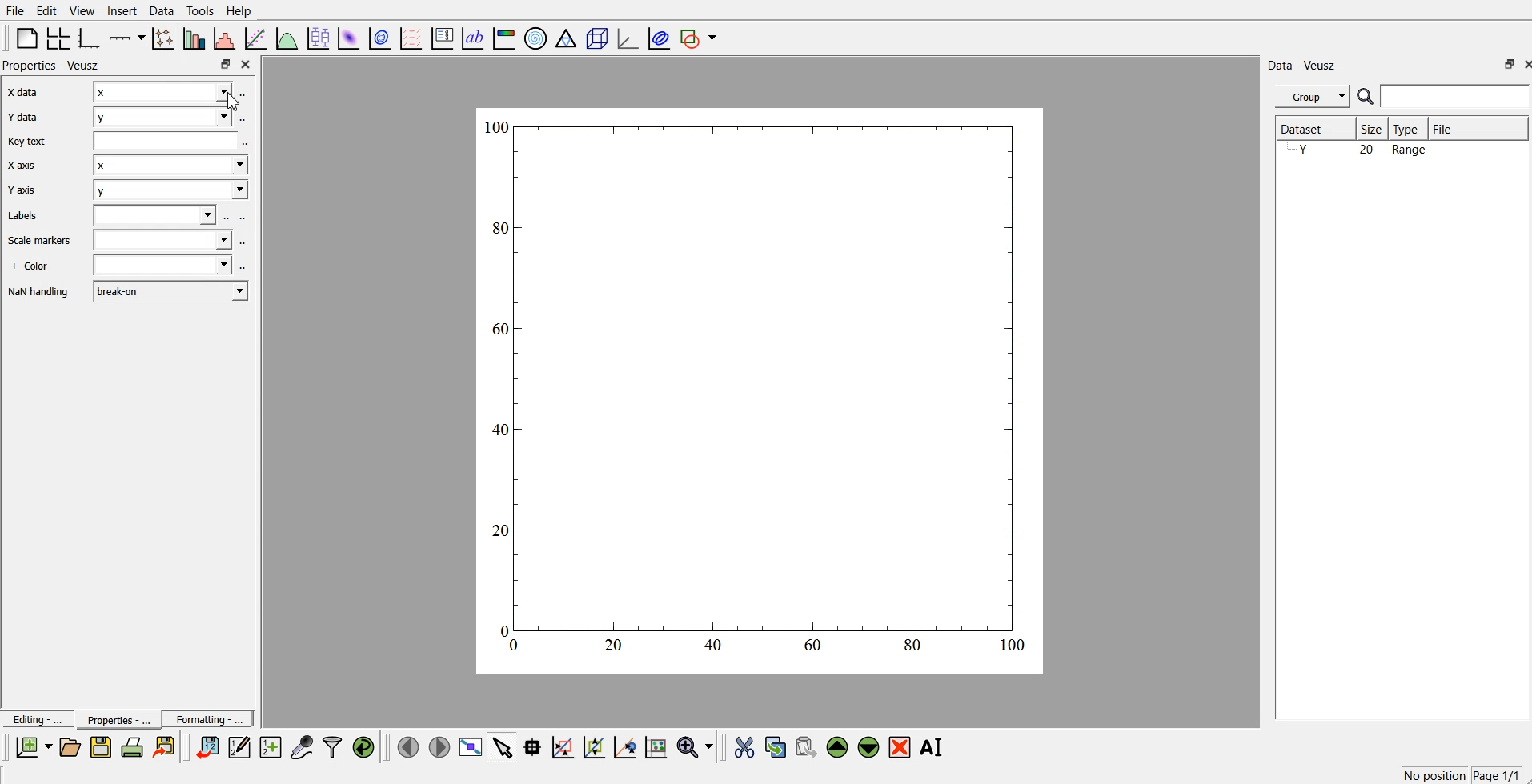 The height and width of the screenshot is (784, 1532). Describe the element at coordinates (596, 746) in the screenshot. I see `click to zoom` at that location.